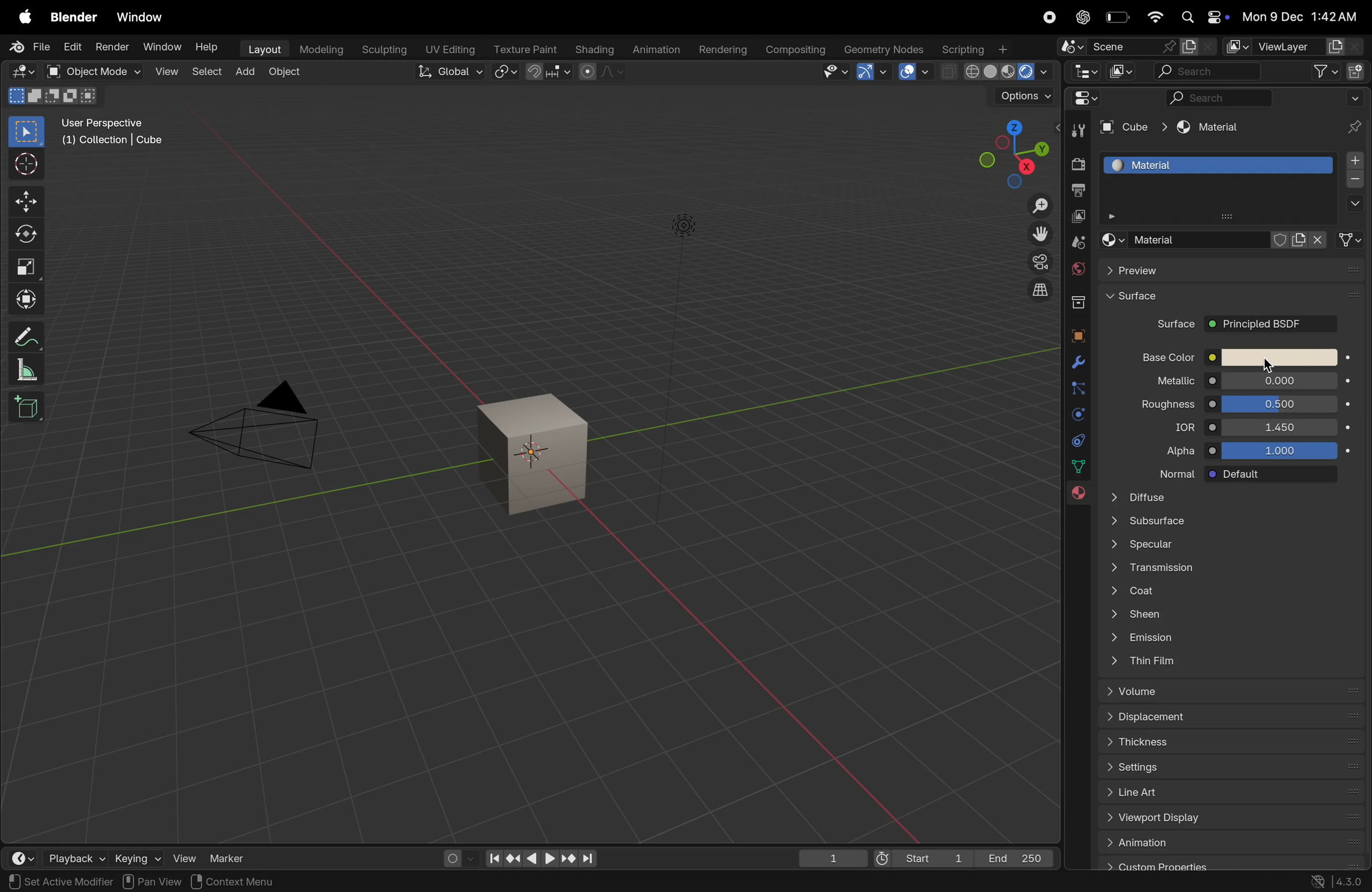 The height and width of the screenshot is (892, 1372). I want to click on File, so click(32, 47).